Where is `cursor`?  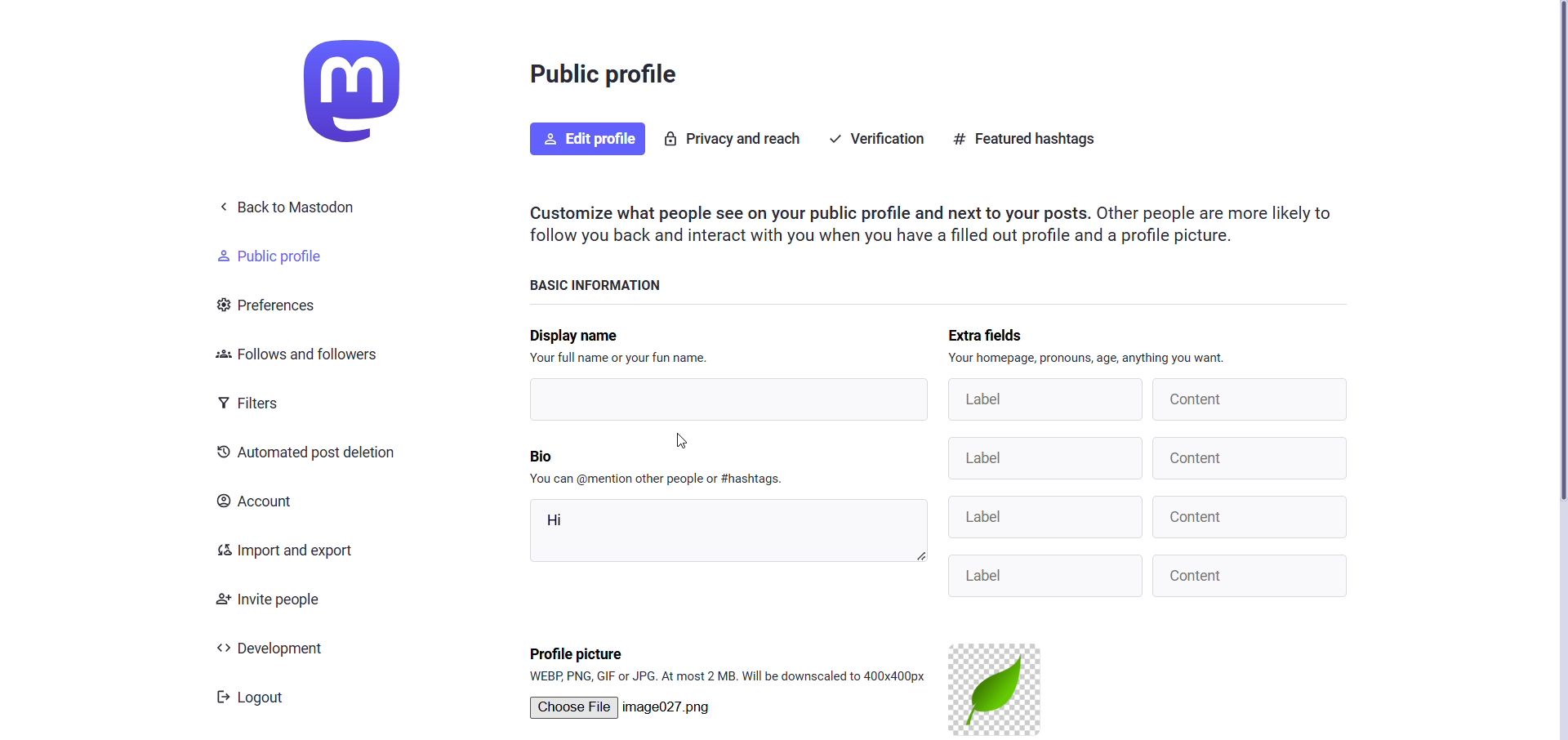 cursor is located at coordinates (679, 444).